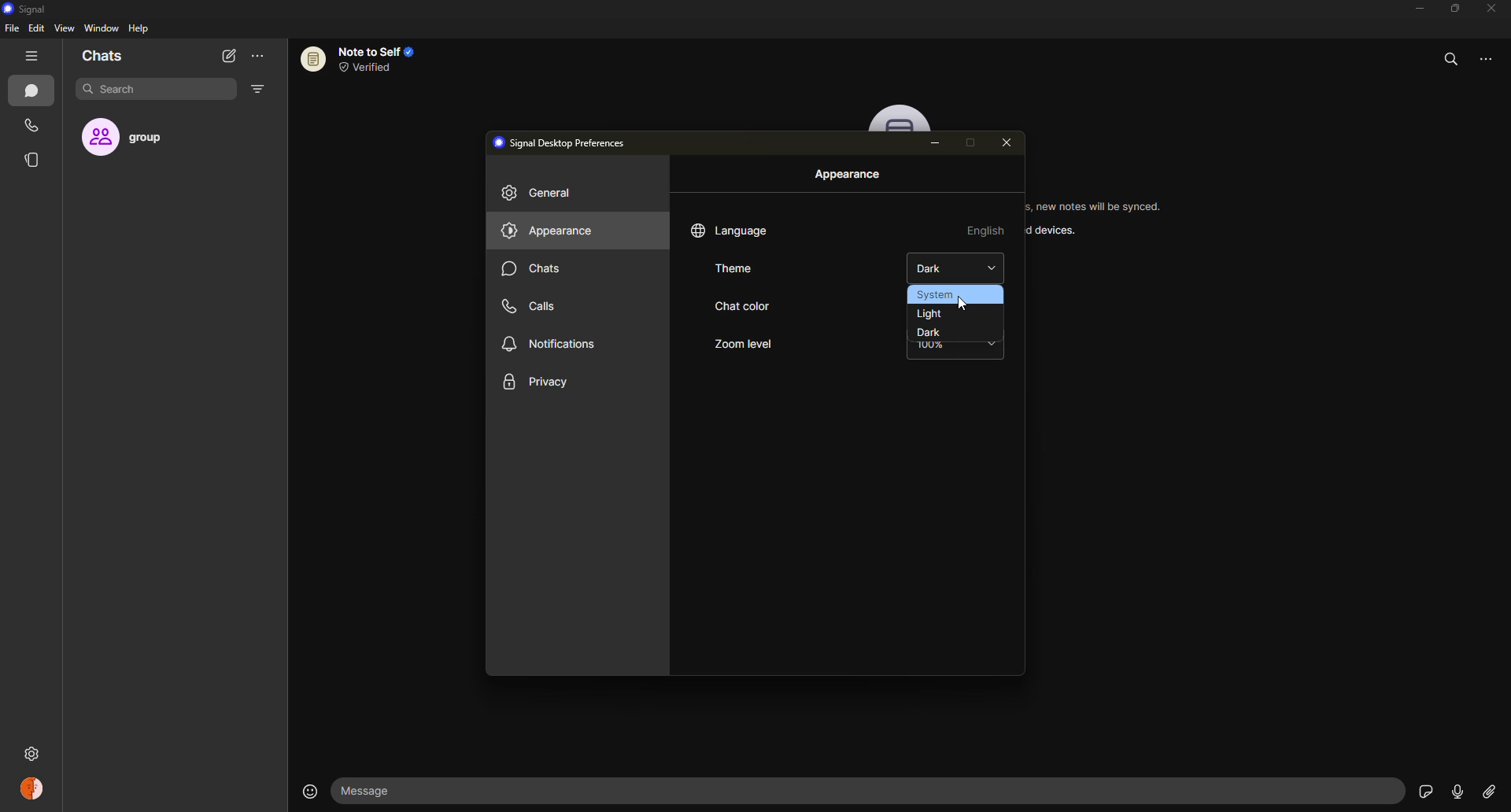  What do you see at coordinates (992, 344) in the screenshot?
I see `drop down` at bounding box center [992, 344].